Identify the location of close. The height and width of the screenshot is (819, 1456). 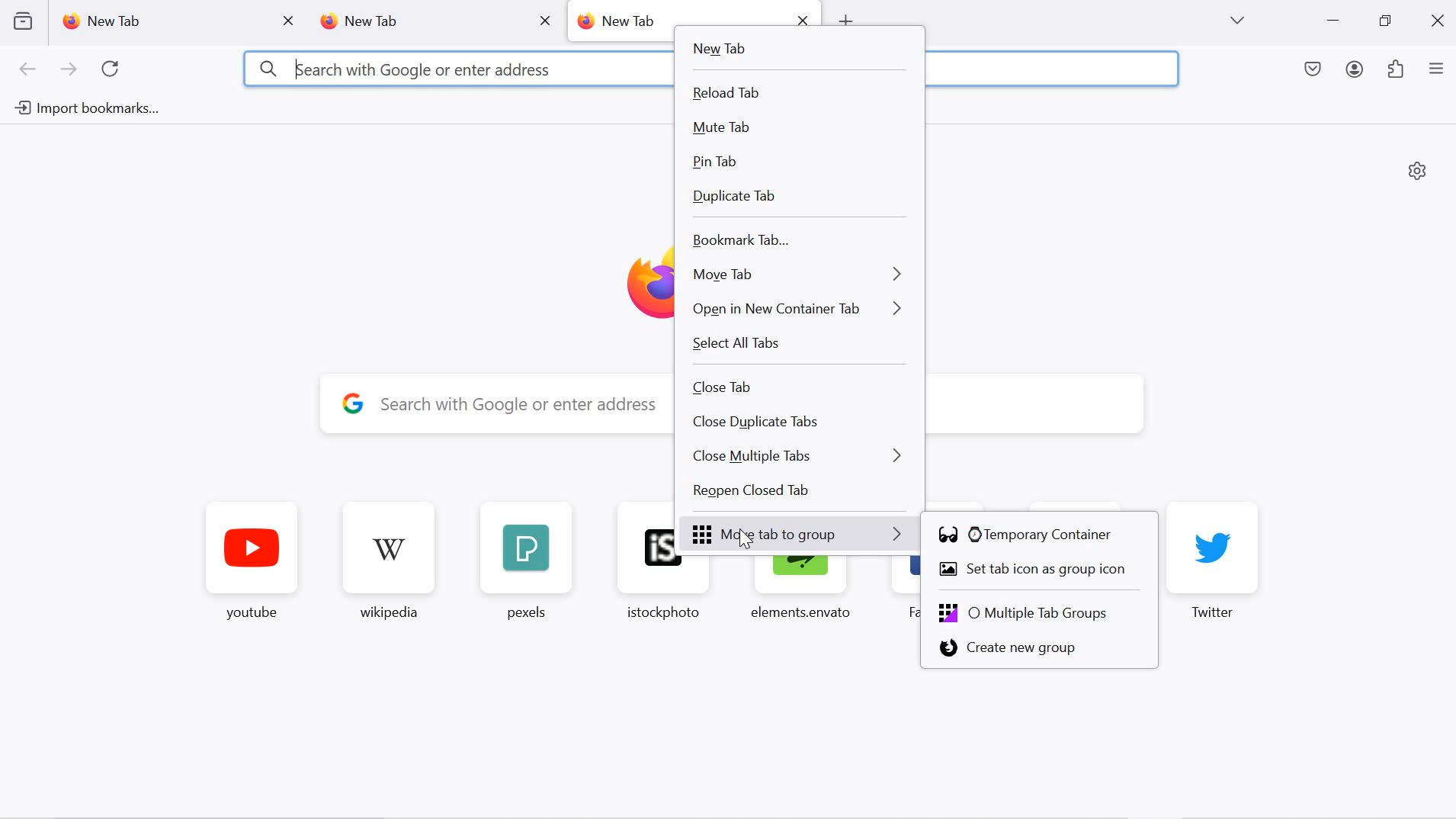
(544, 20).